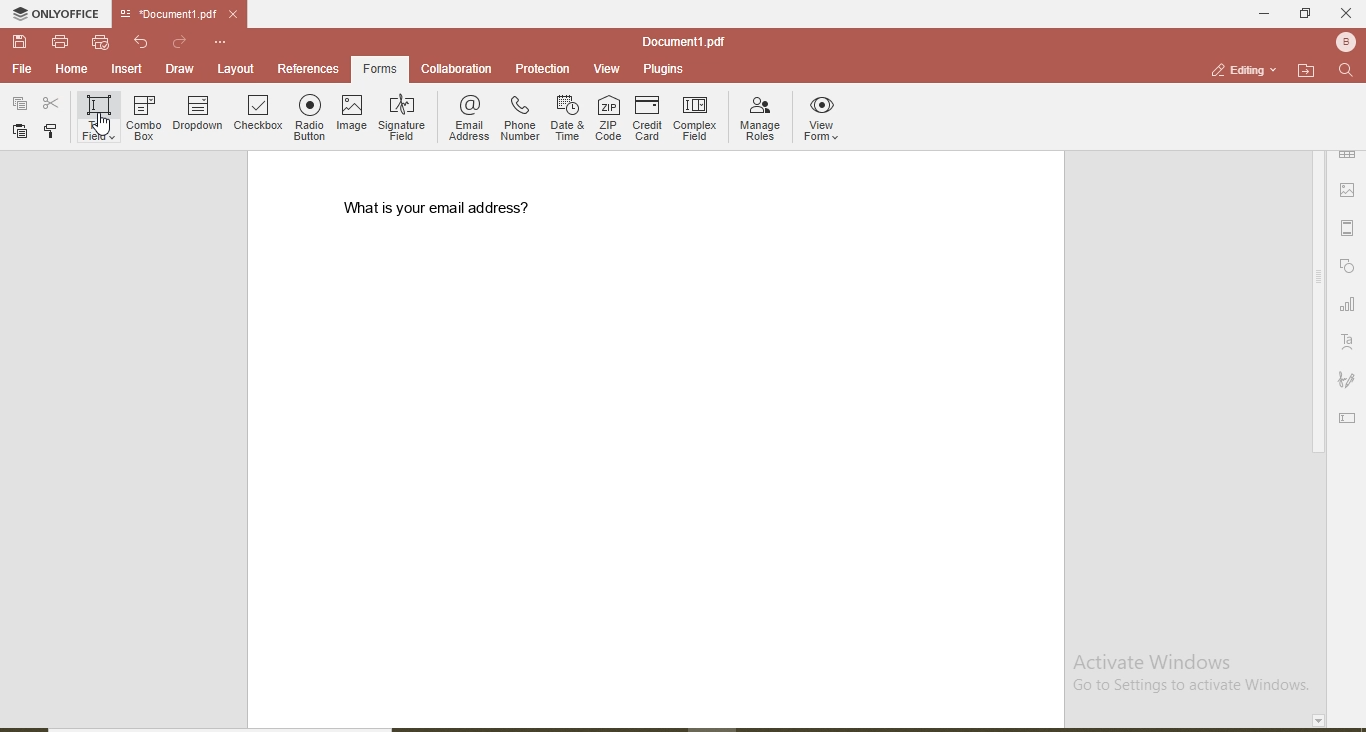 The height and width of the screenshot is (732, 1366). What do you see at coordinates (50, 130) in the screenshot?
I see `copy` at bounding box center [50, 130].